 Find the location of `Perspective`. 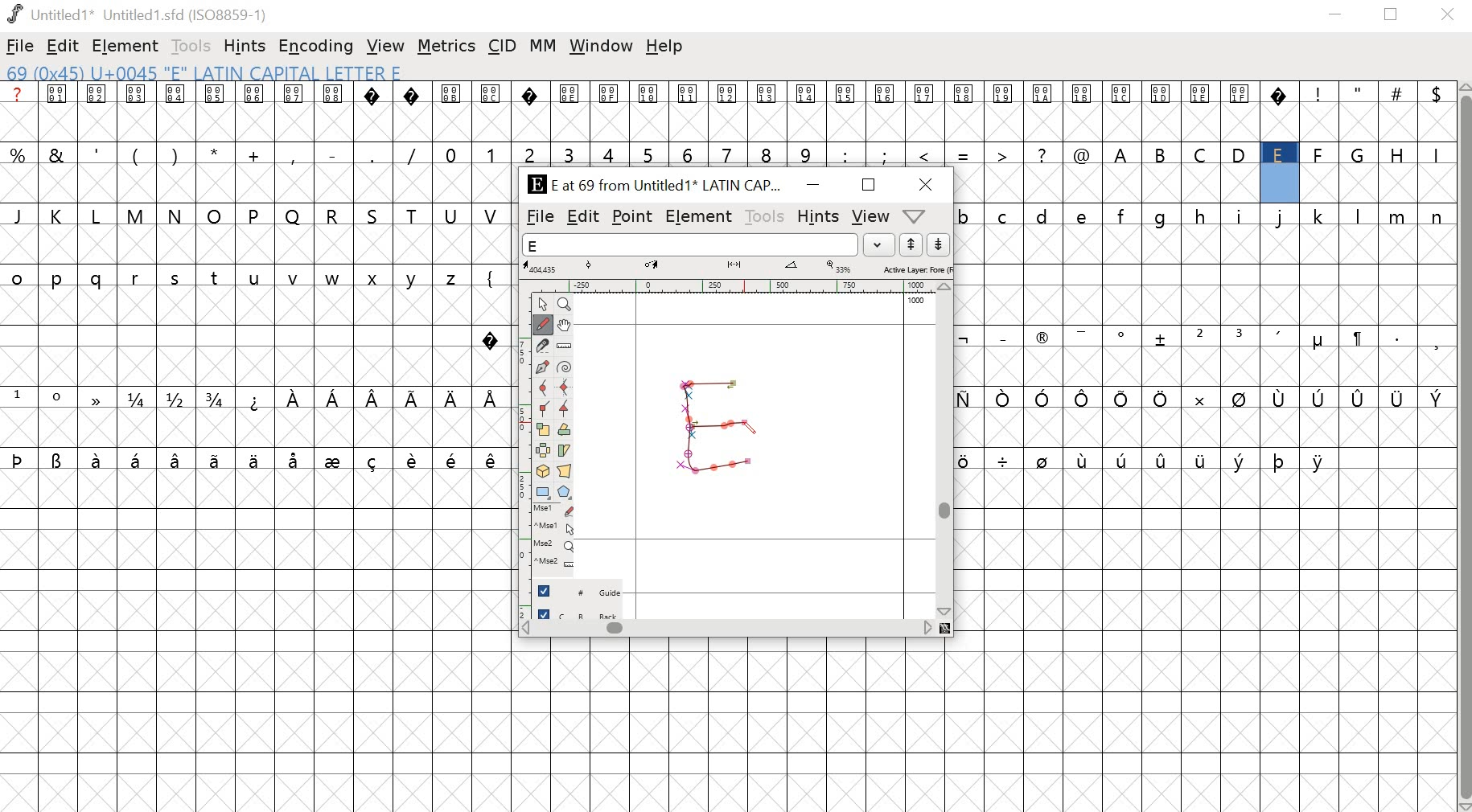

Perspective is located at coordinates (566, 473).